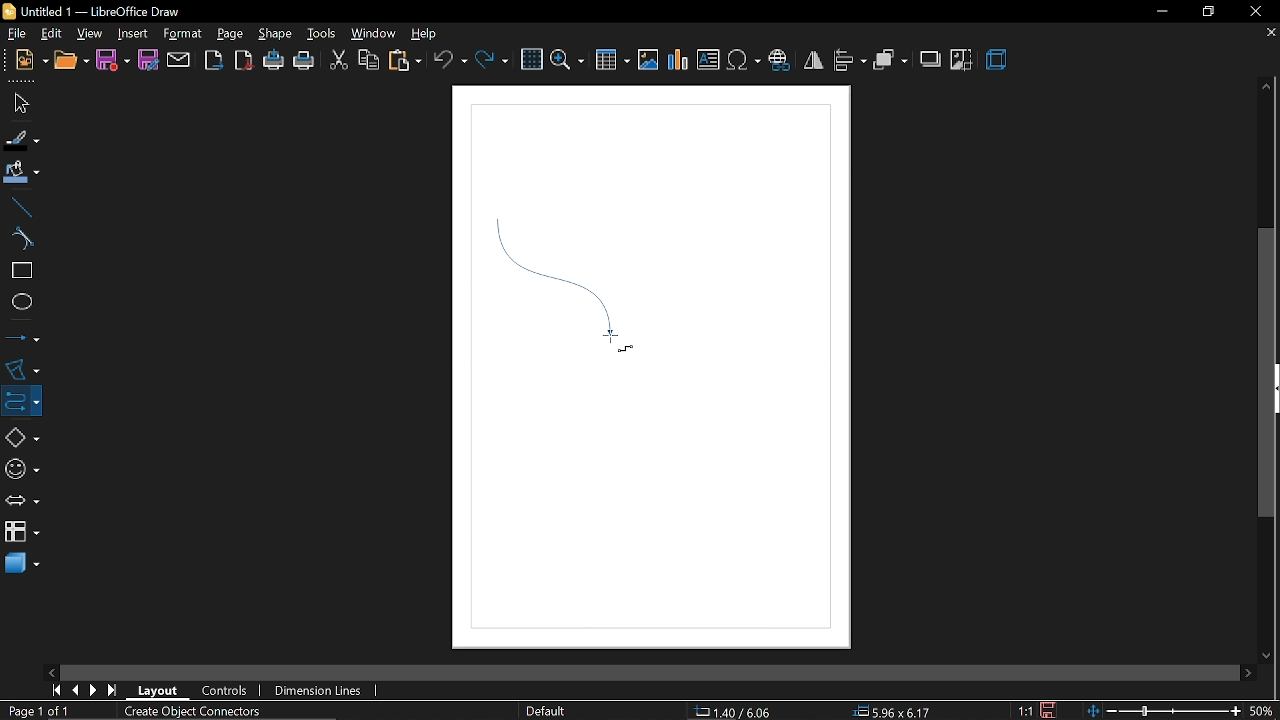 The image size is (1280, 720). What do you see at coordinates (1267, 88) in the screenshot?
I see `move up` at bounding box center [1267, 88].